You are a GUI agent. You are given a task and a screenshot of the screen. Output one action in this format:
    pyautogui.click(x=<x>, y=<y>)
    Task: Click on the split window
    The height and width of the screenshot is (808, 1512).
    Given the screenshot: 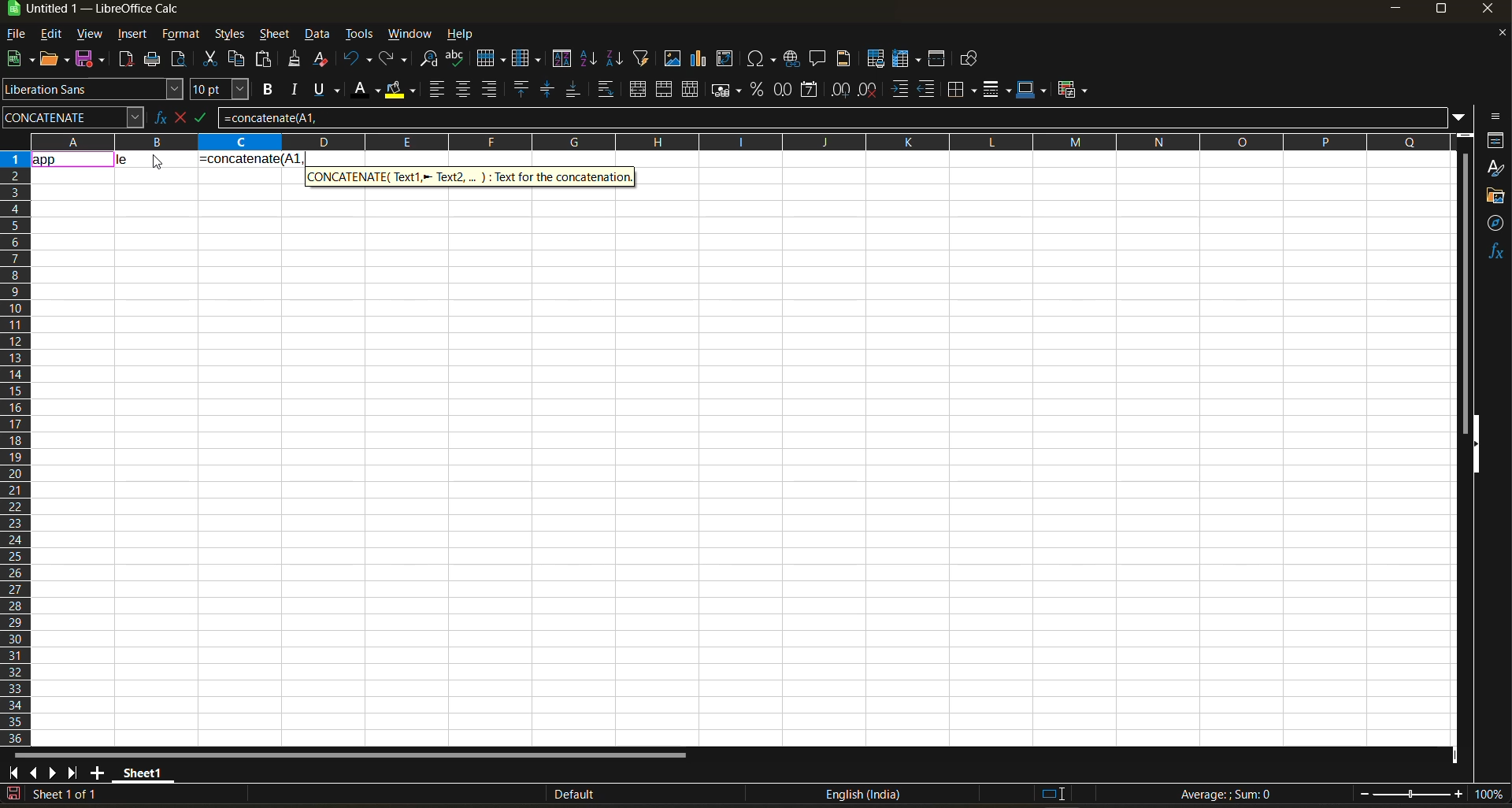 What is the action you would take?
    pyautogui.click(x=939, y=60)
    